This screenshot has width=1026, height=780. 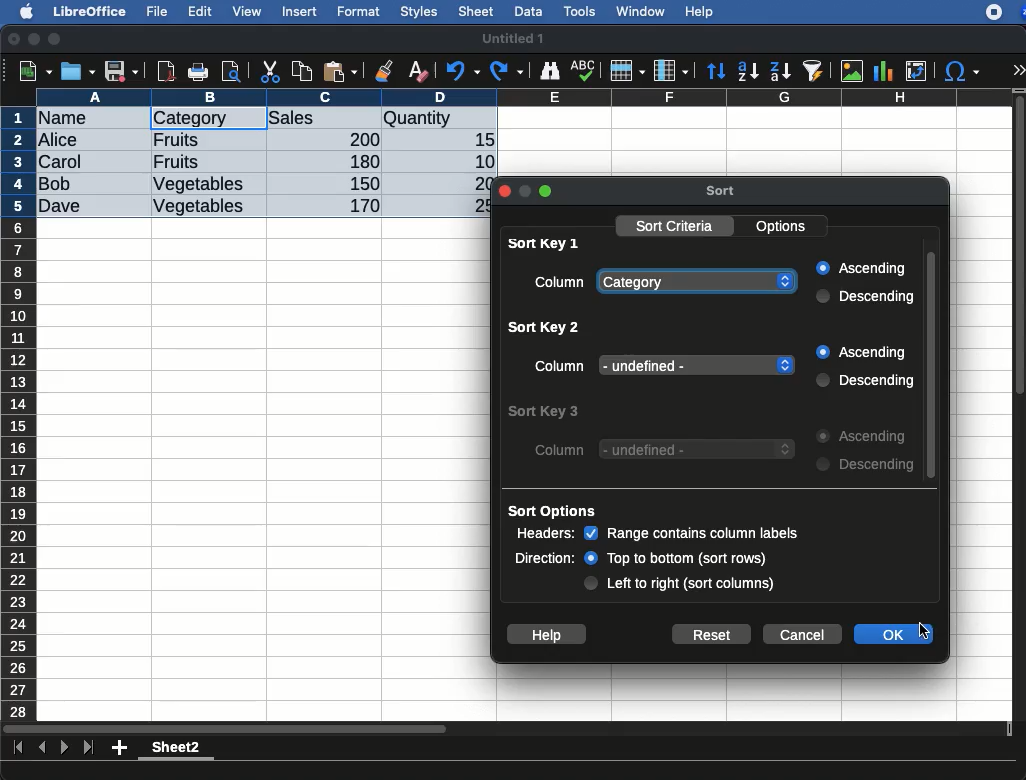 What do you see at coordinates (543, 534) in the screenshot?
I see `headers` at bounding box center [543, 534].